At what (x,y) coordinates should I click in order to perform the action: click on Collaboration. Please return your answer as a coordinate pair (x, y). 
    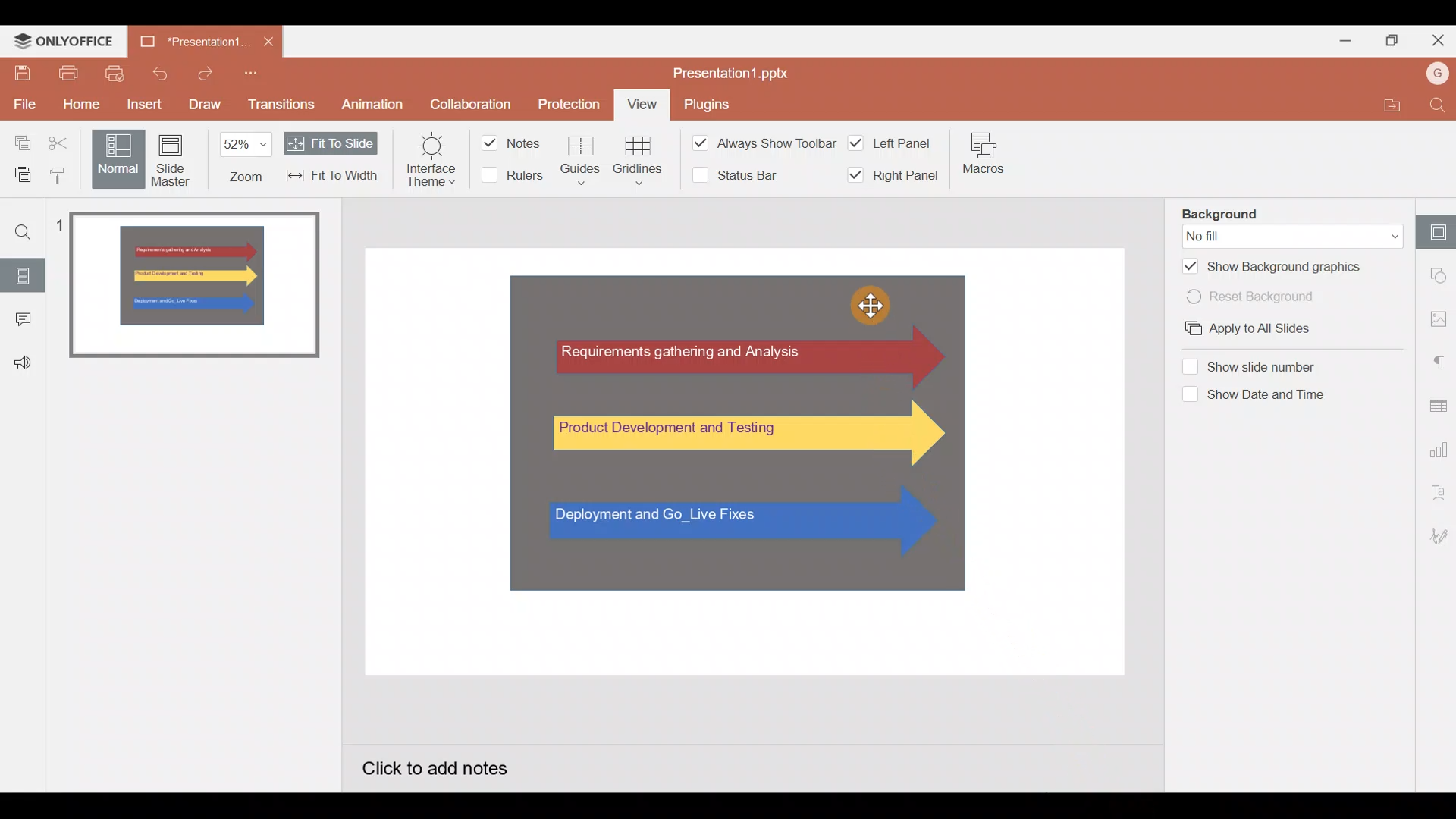
    Looking at the image, I should click on (470, 102).